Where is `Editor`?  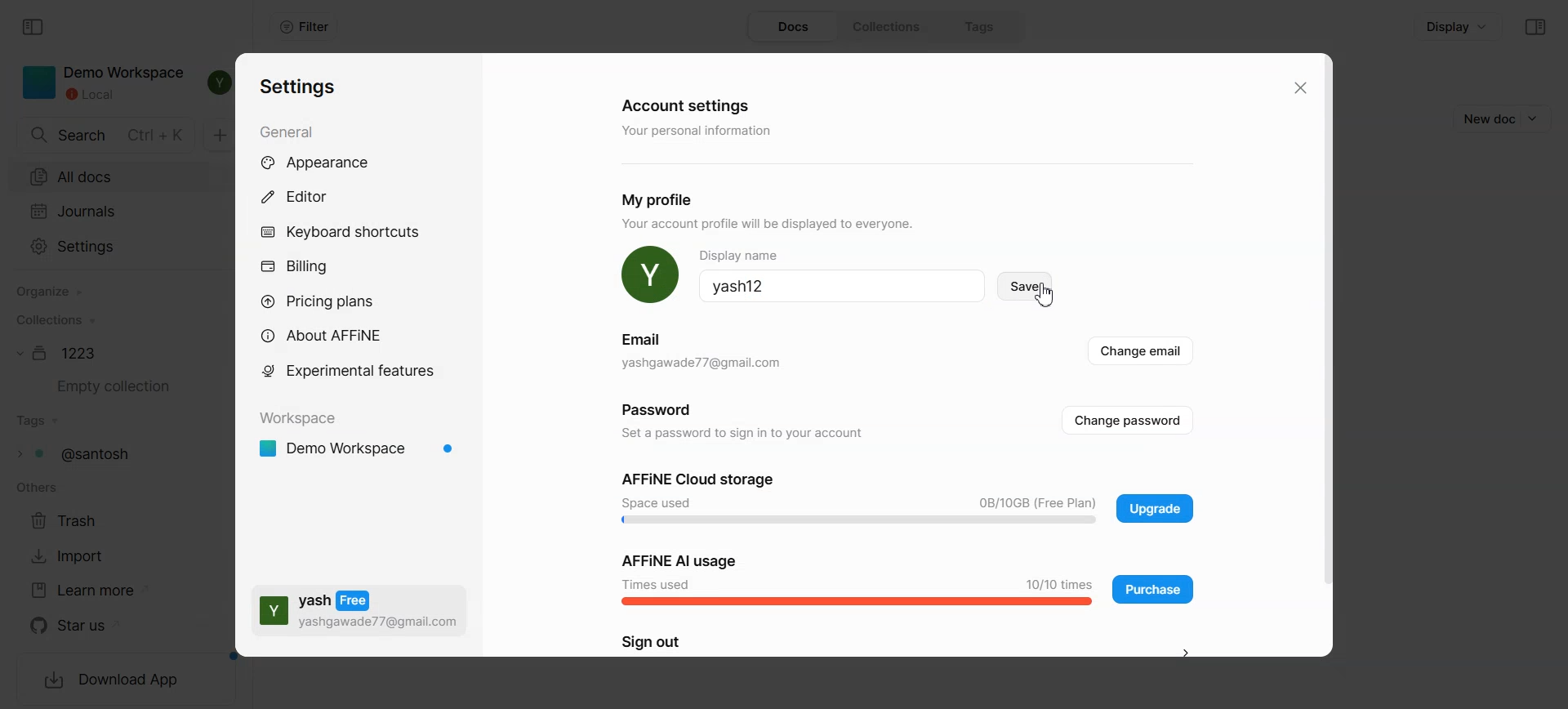 Editor is located at coordinates (305, 196).